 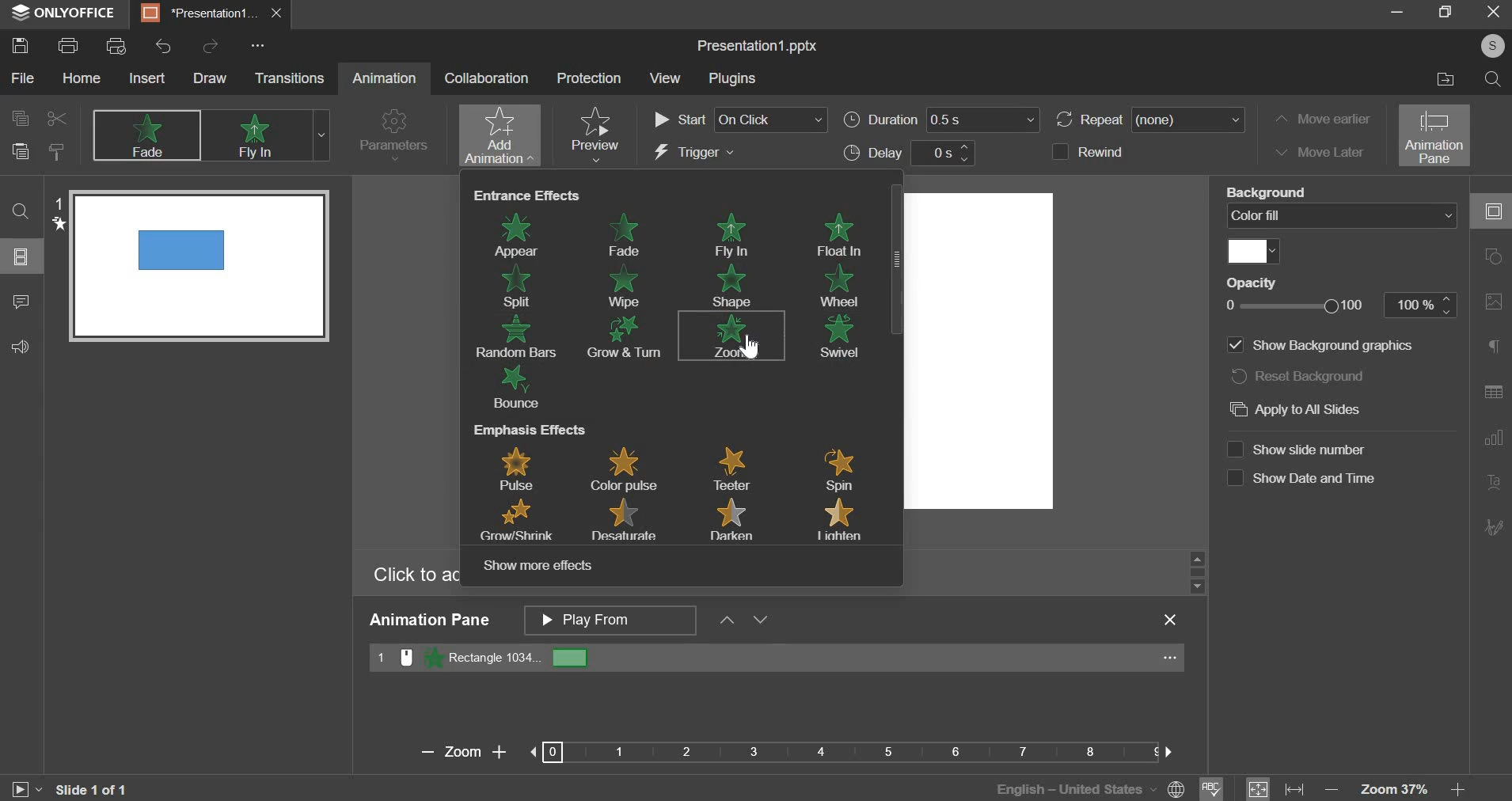 I want to click on onlyoffice, so click(x=63, y=13).